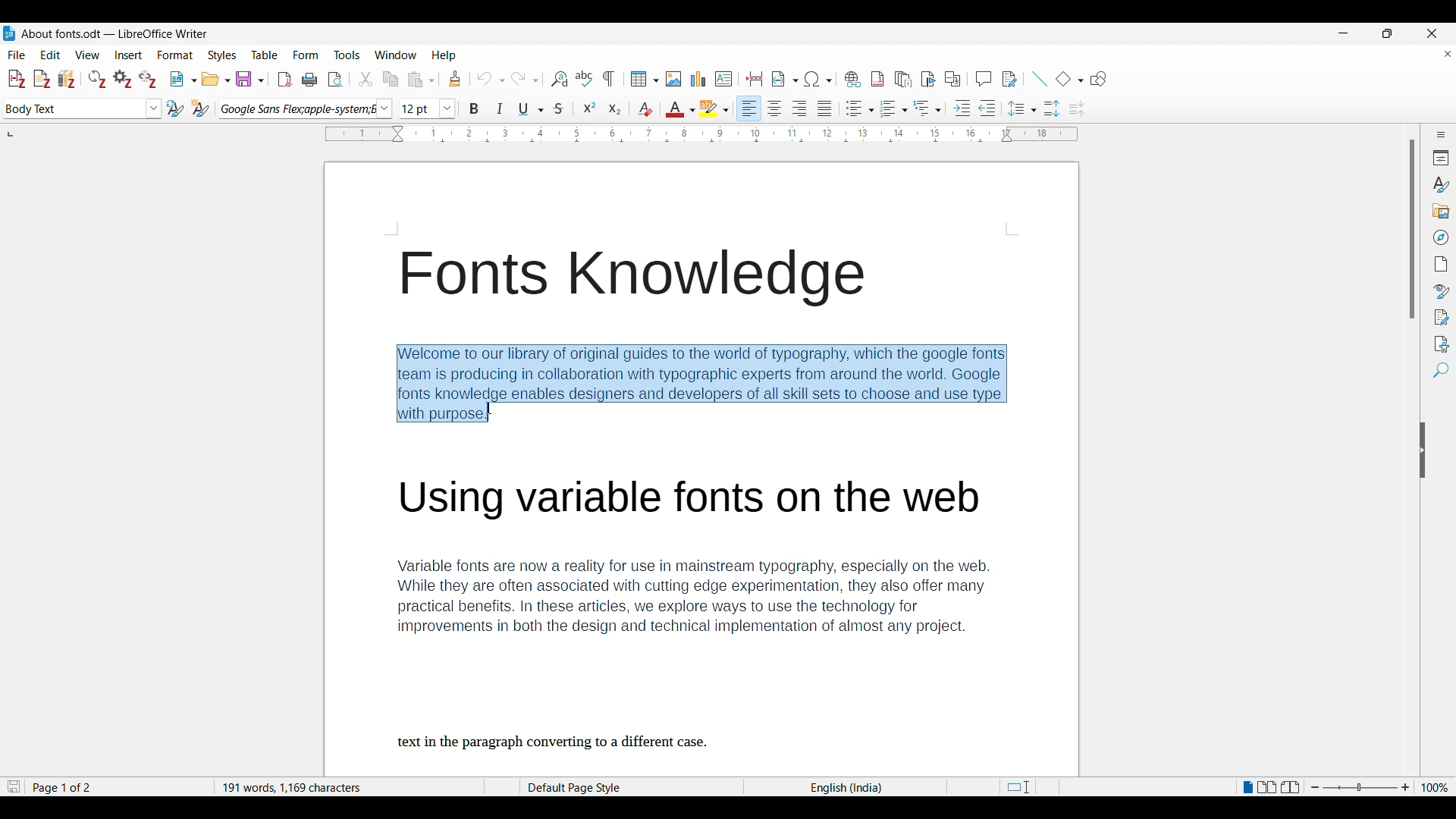 The height and width of the screenshot is (819, 1456). I want to click on Text color options, so click(681, 108).